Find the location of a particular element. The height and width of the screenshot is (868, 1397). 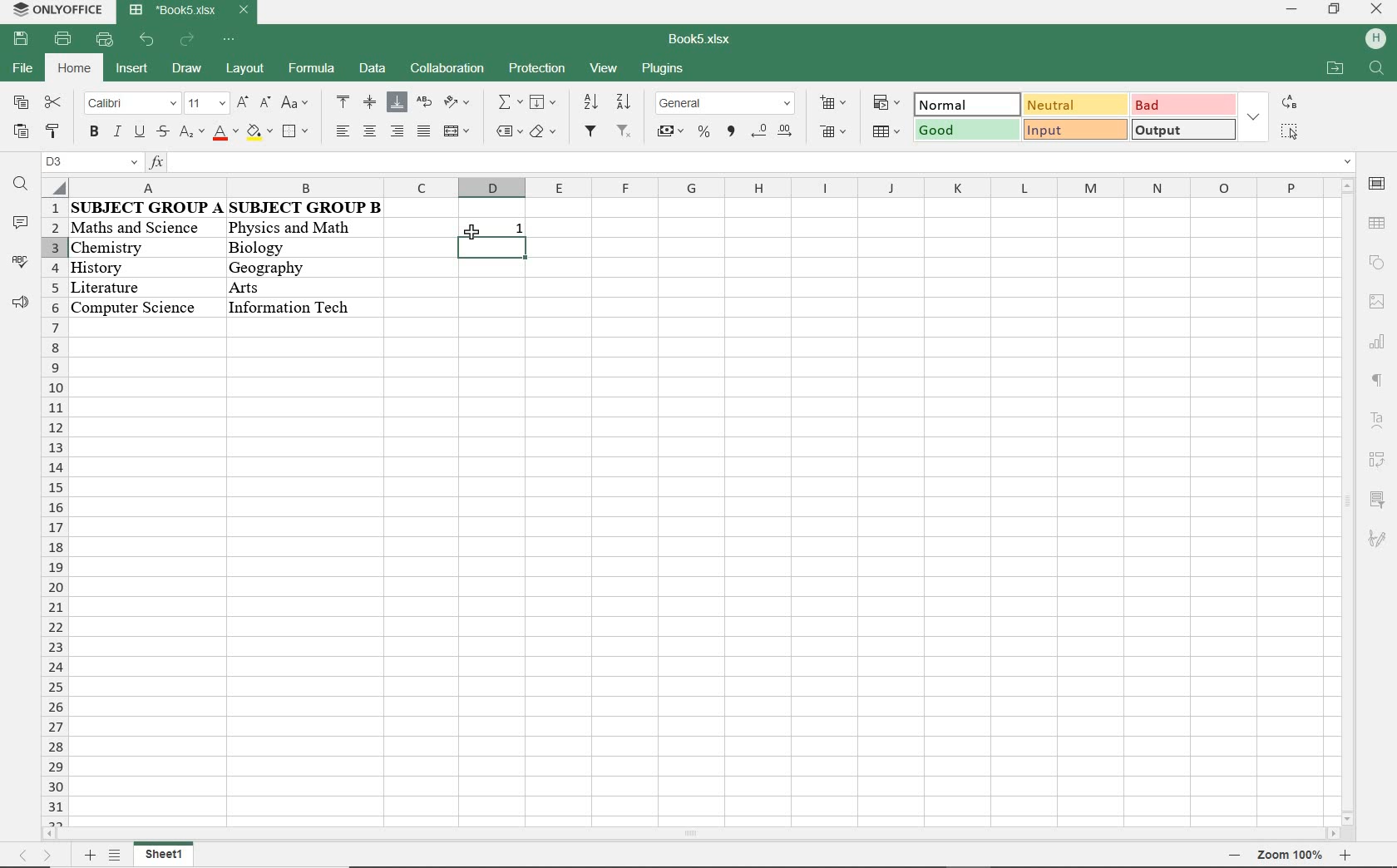

underline is located at coordinates (138, 134).